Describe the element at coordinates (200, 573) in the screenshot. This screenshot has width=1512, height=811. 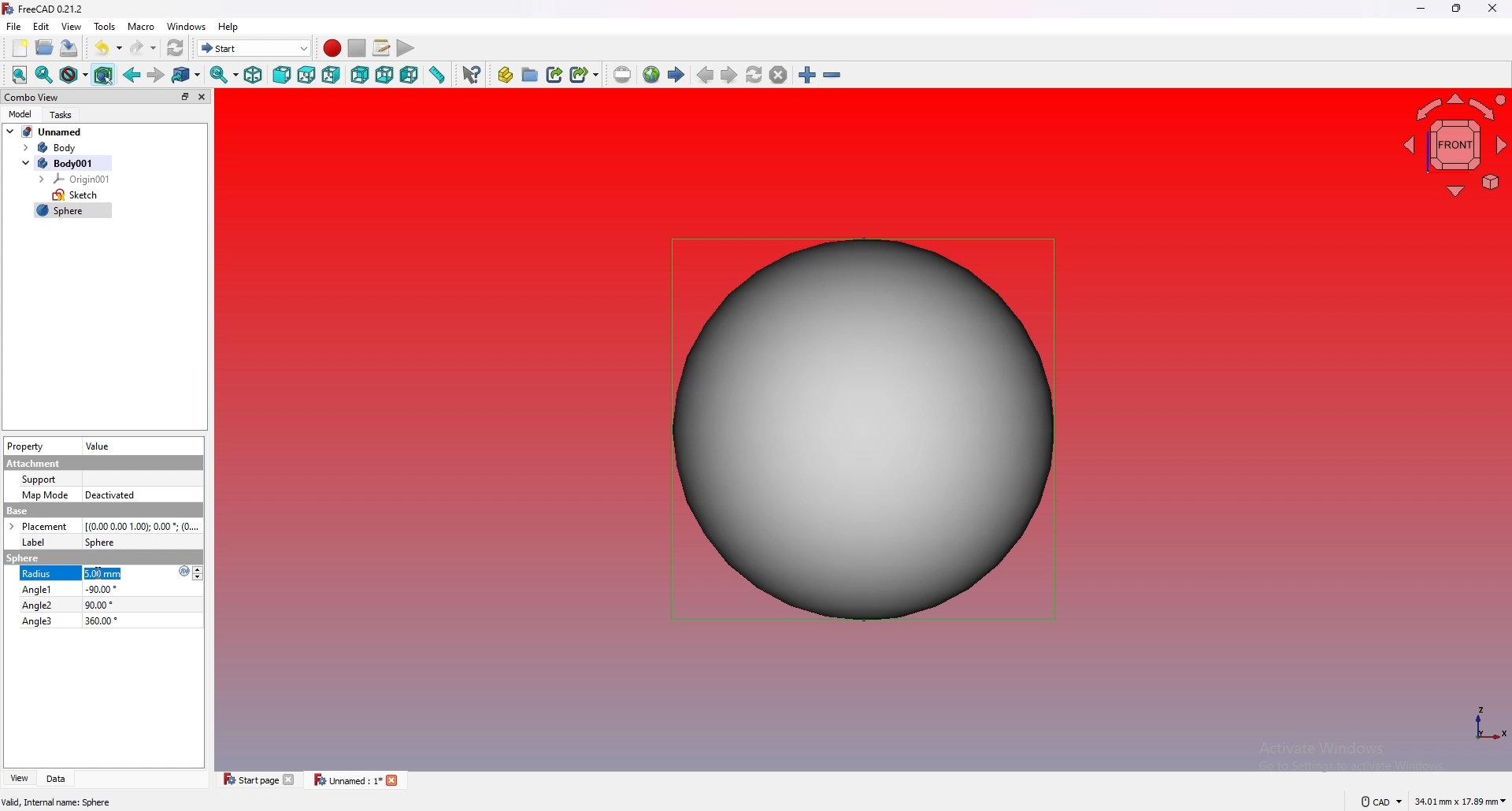
I see `toggle buttons` at that location.